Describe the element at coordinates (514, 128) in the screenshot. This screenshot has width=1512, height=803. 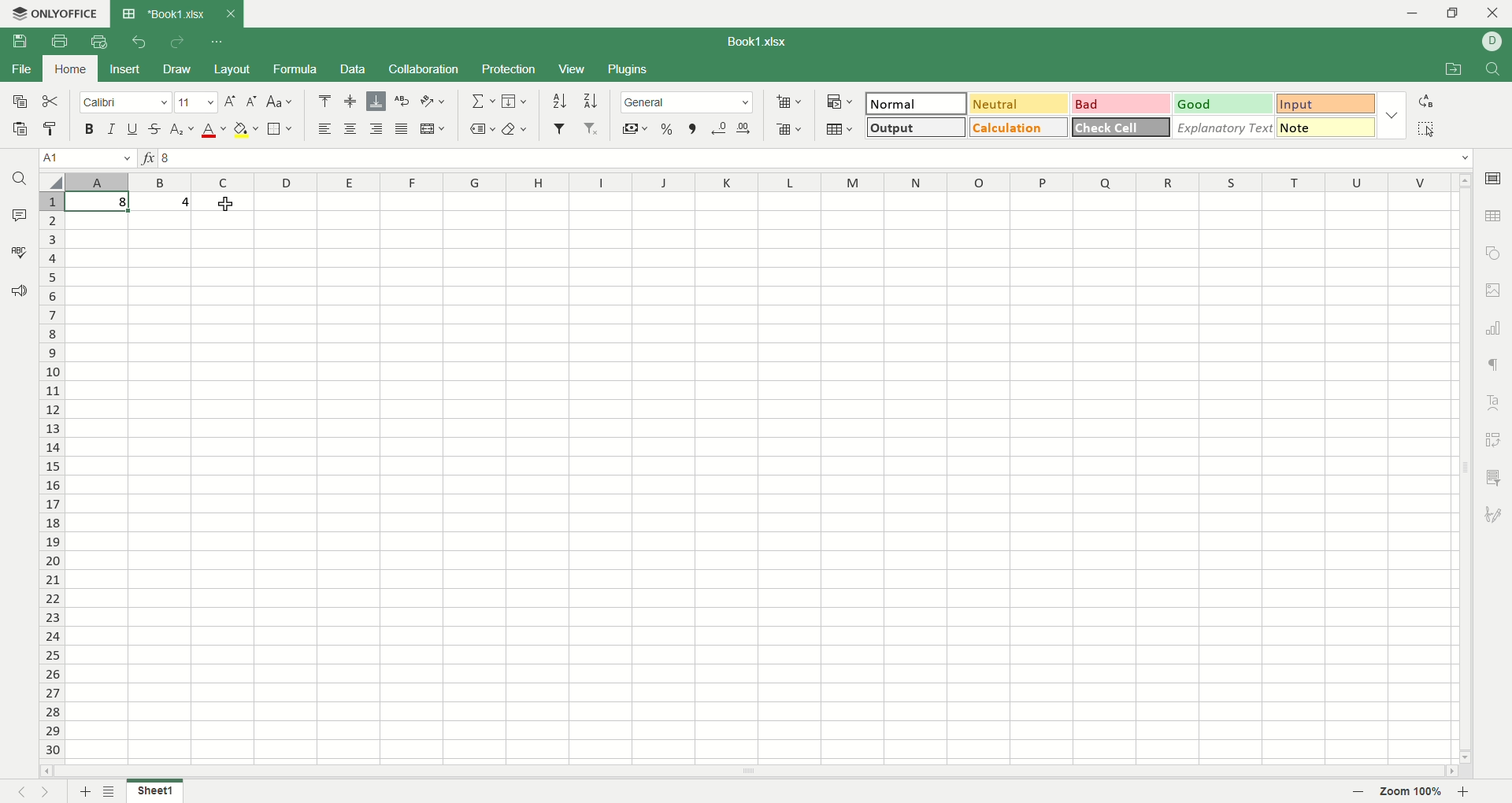
I see `clear` at that location.